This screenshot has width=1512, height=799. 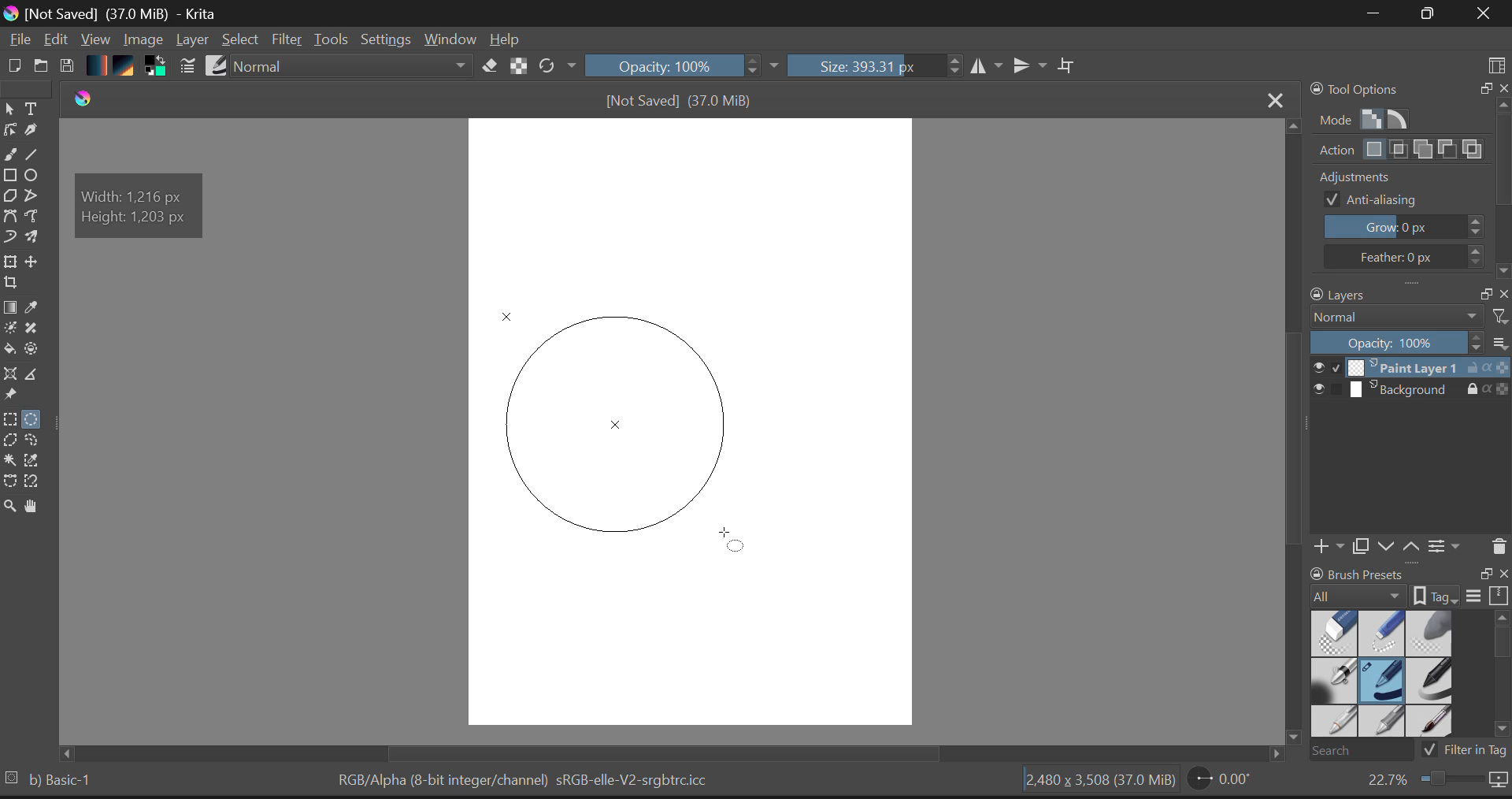 What do you see at coordinates (35, 199) in the screenshot?
I see `Polyline` at bounding box center [35, 199].